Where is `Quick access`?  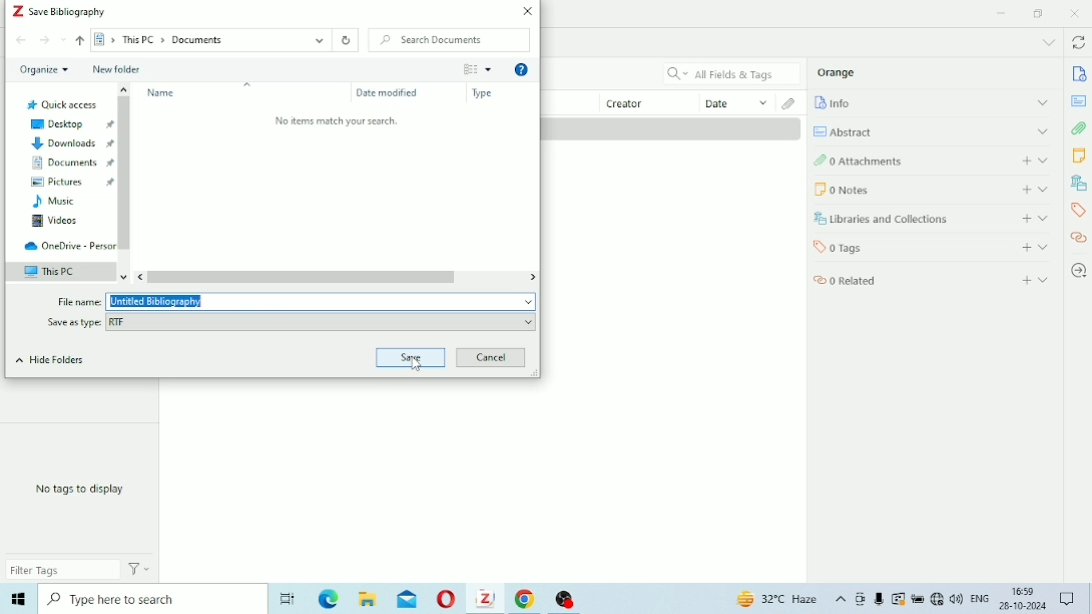
Quick access is located at coordinates (61, 103).